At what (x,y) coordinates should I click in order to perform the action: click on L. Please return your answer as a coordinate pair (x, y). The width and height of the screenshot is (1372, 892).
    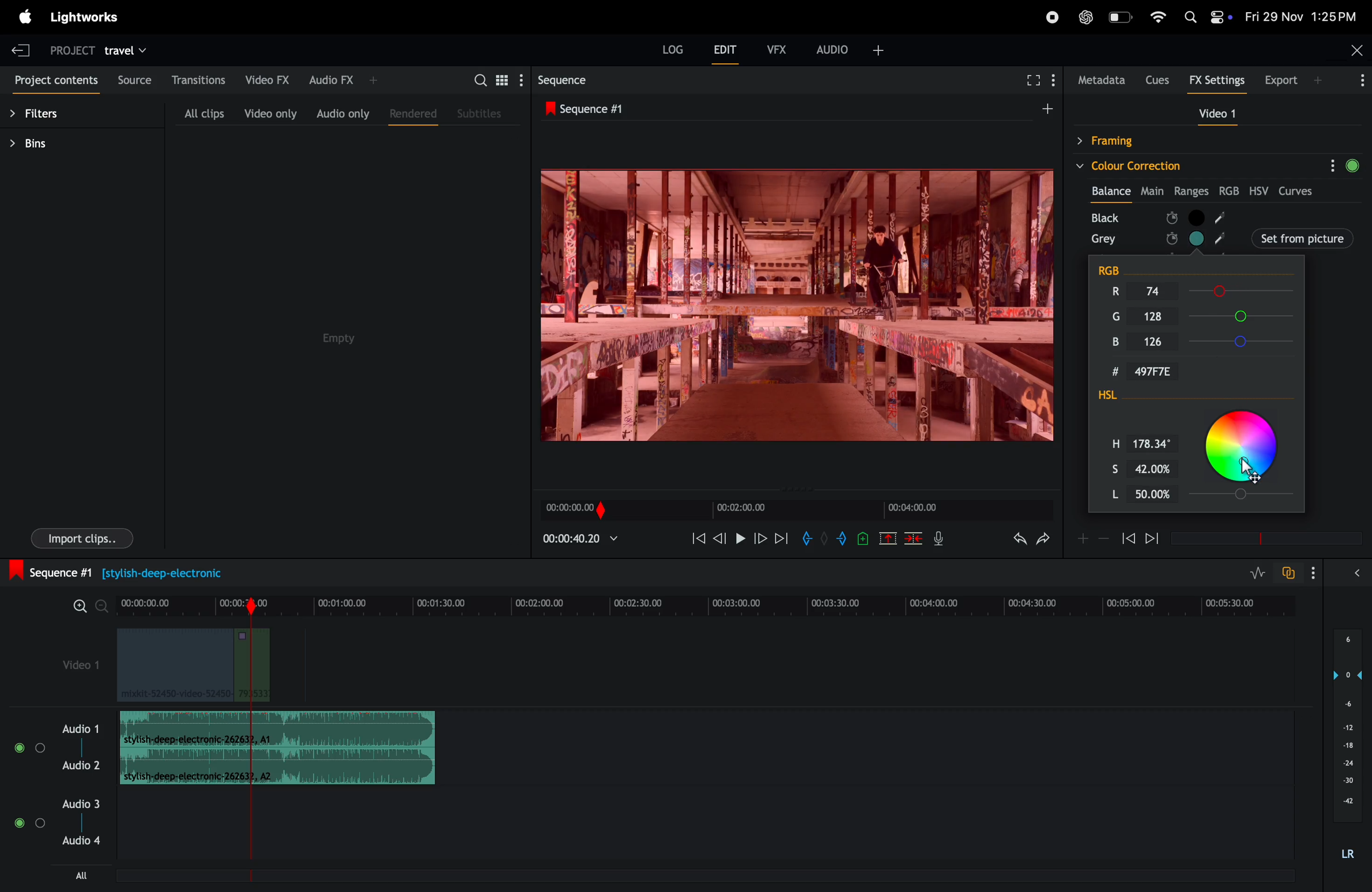
    Looking at the image, I should click on (1106, 494).